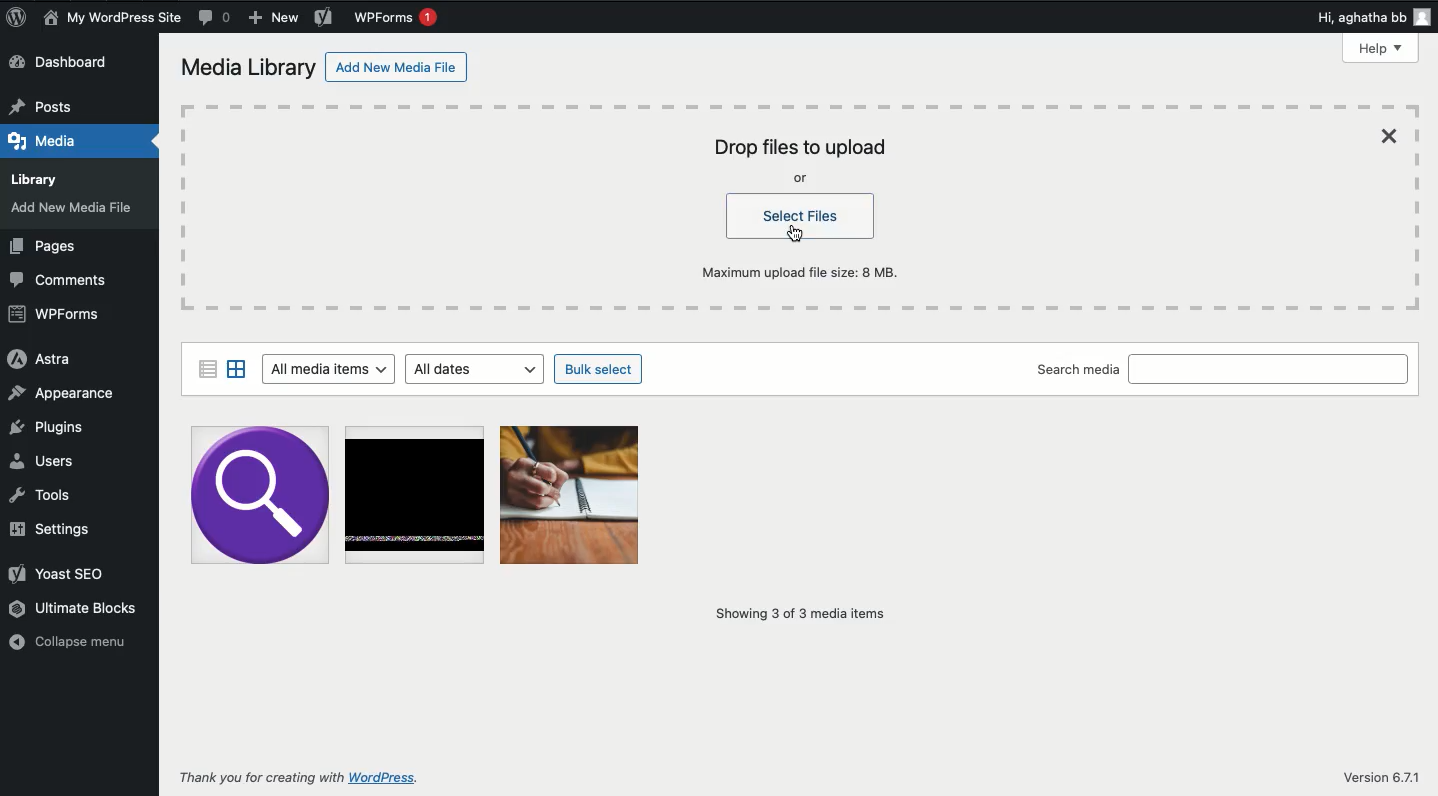 Image resolution: width=1438 pixels, height=796 pixels. Describe the element at coordinates (16, 17) in the screenshot. I see `WordPress logo` at that location.